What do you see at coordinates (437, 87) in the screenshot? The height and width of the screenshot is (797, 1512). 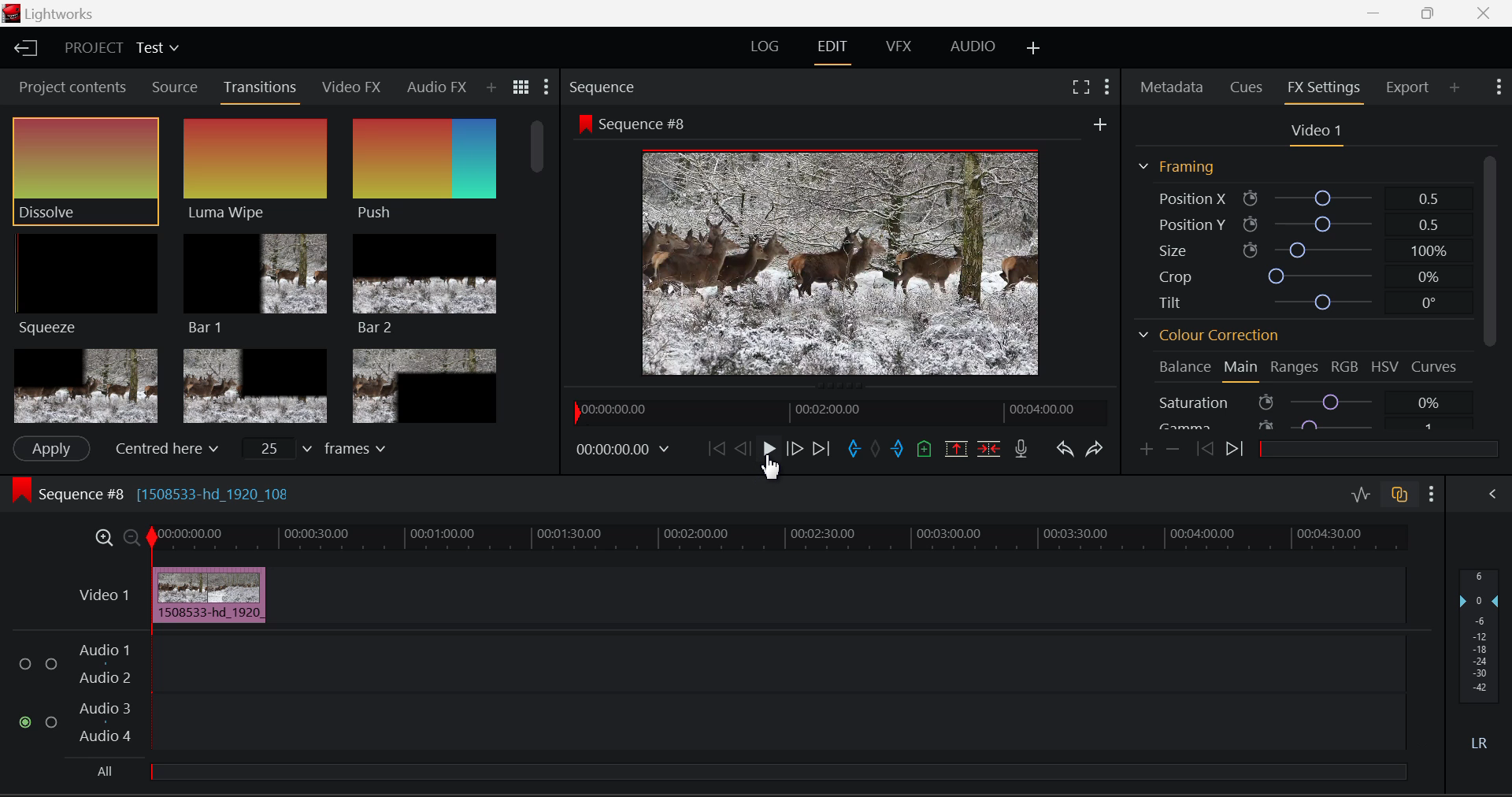 I see `Audio FX` at bounding box center [437, 87].